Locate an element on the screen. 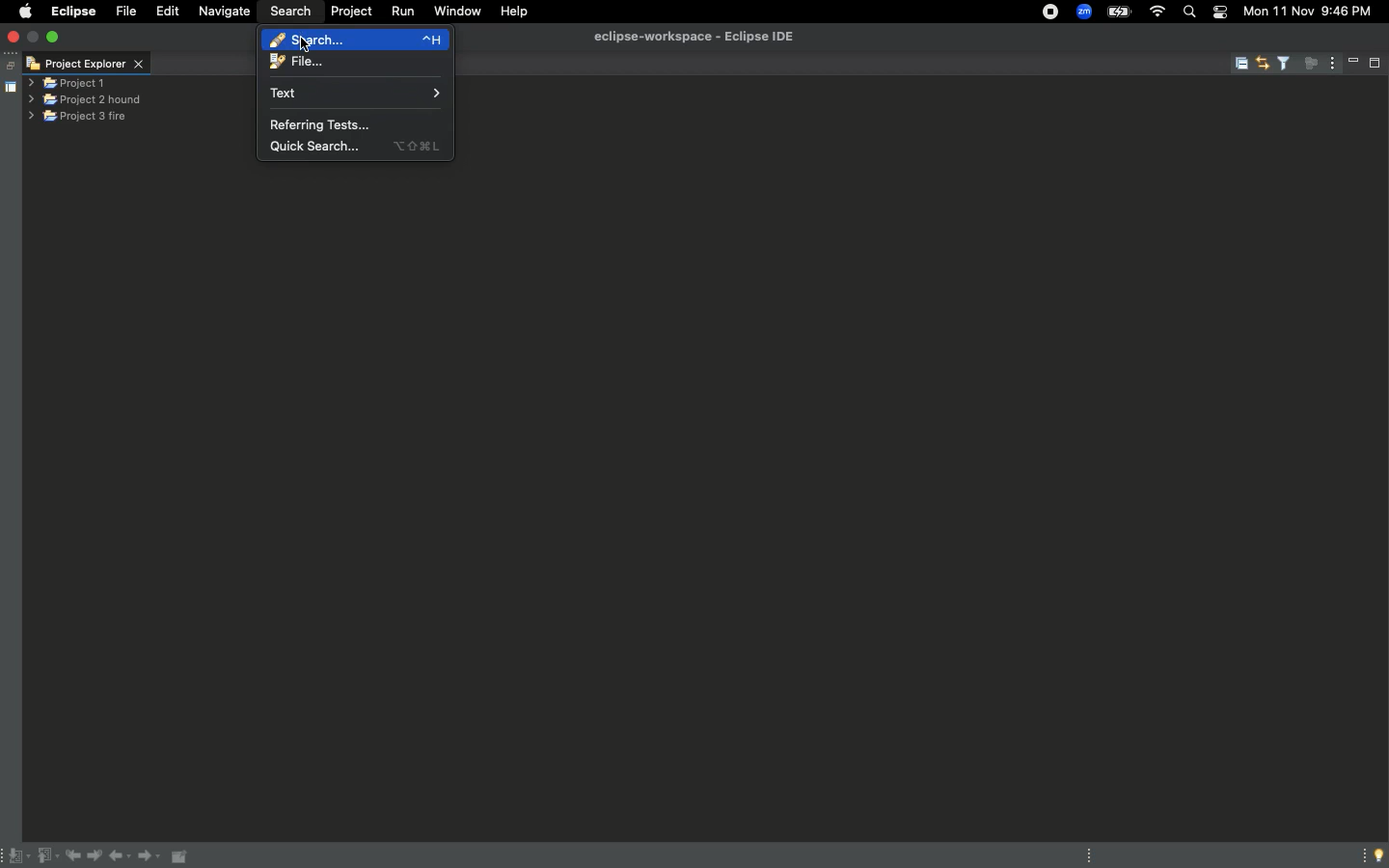 The width and height of the screenshot is (1389, 868). Restore is located at coordinates (12, 67).